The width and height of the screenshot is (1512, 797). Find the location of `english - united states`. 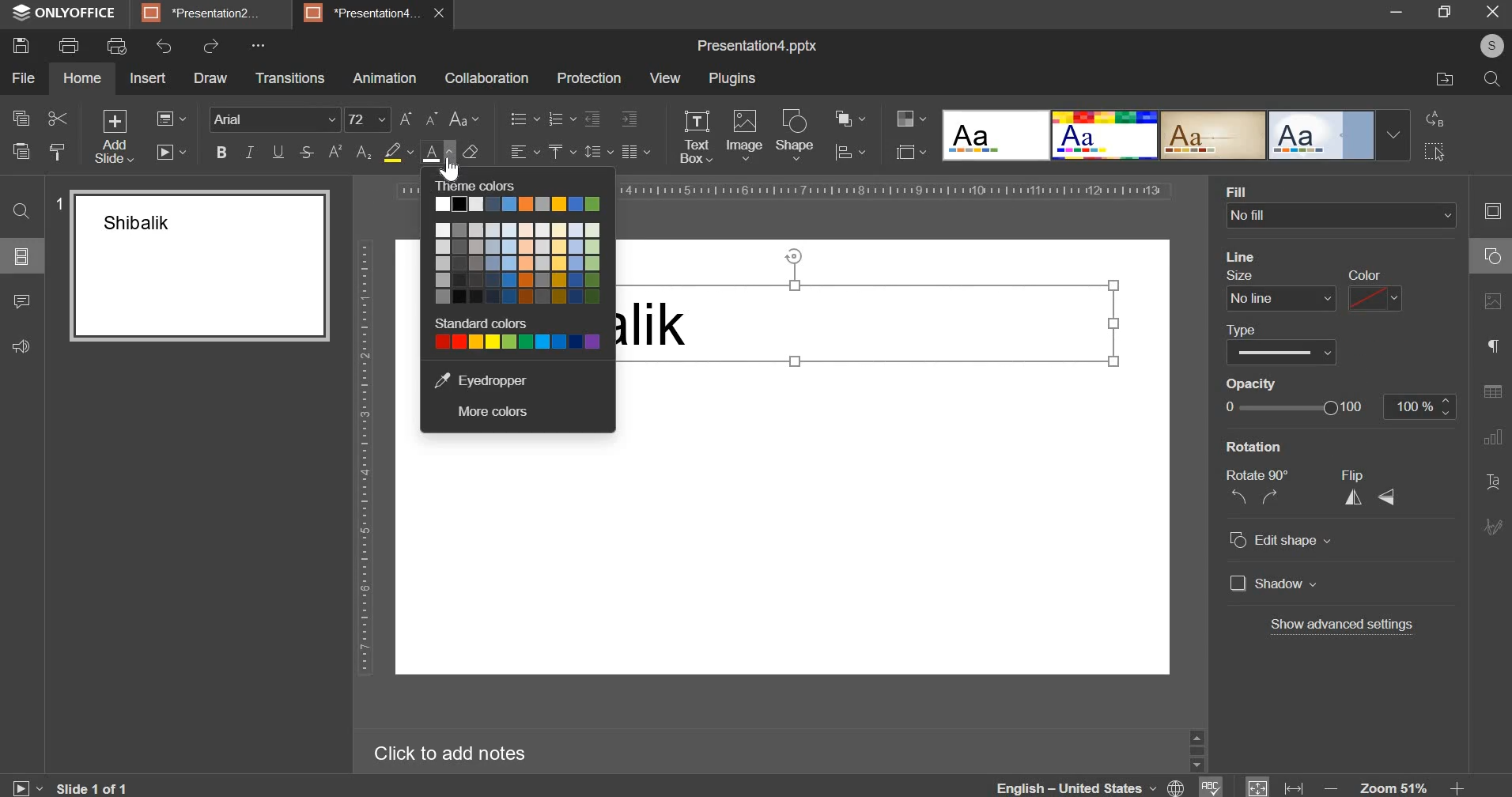

english - united states is located at coordinates (1067, 786).